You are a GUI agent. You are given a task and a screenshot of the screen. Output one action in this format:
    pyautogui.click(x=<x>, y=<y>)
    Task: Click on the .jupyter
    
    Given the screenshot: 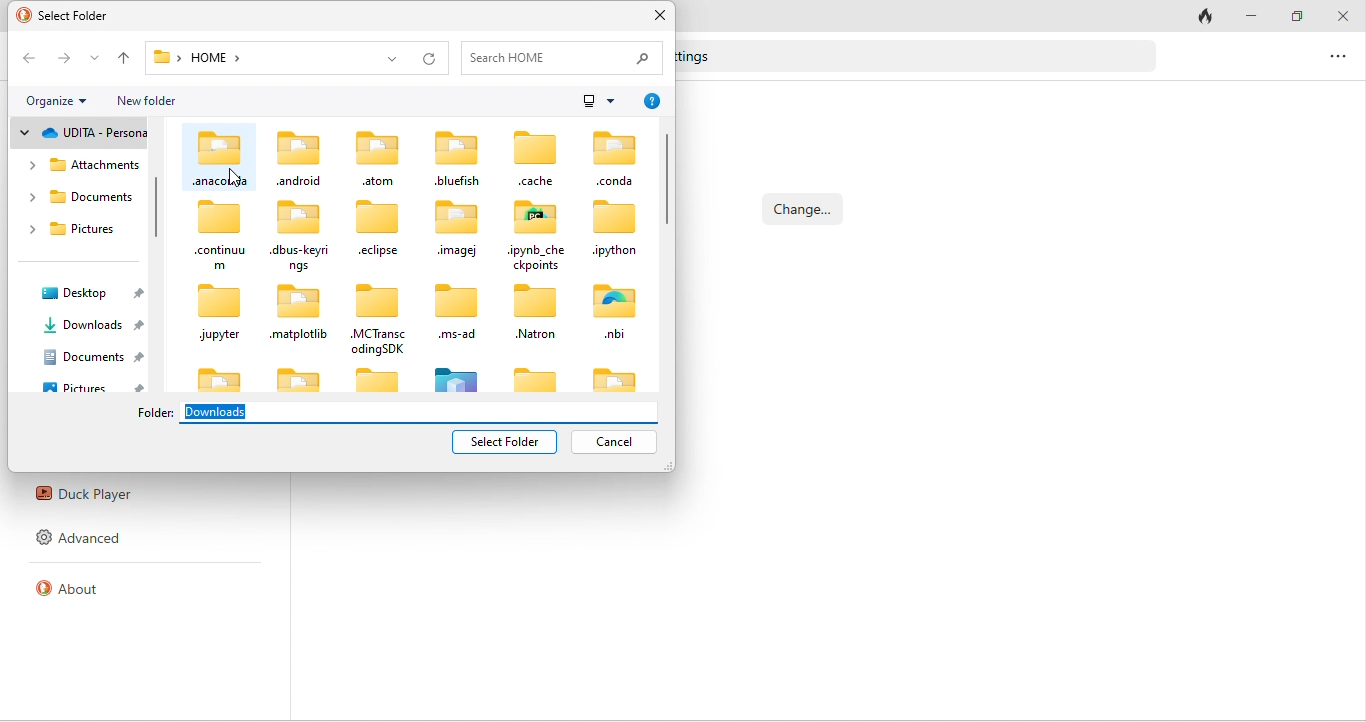 What is the action you would take?
    pyautogui.click(x=221, y=315)
    